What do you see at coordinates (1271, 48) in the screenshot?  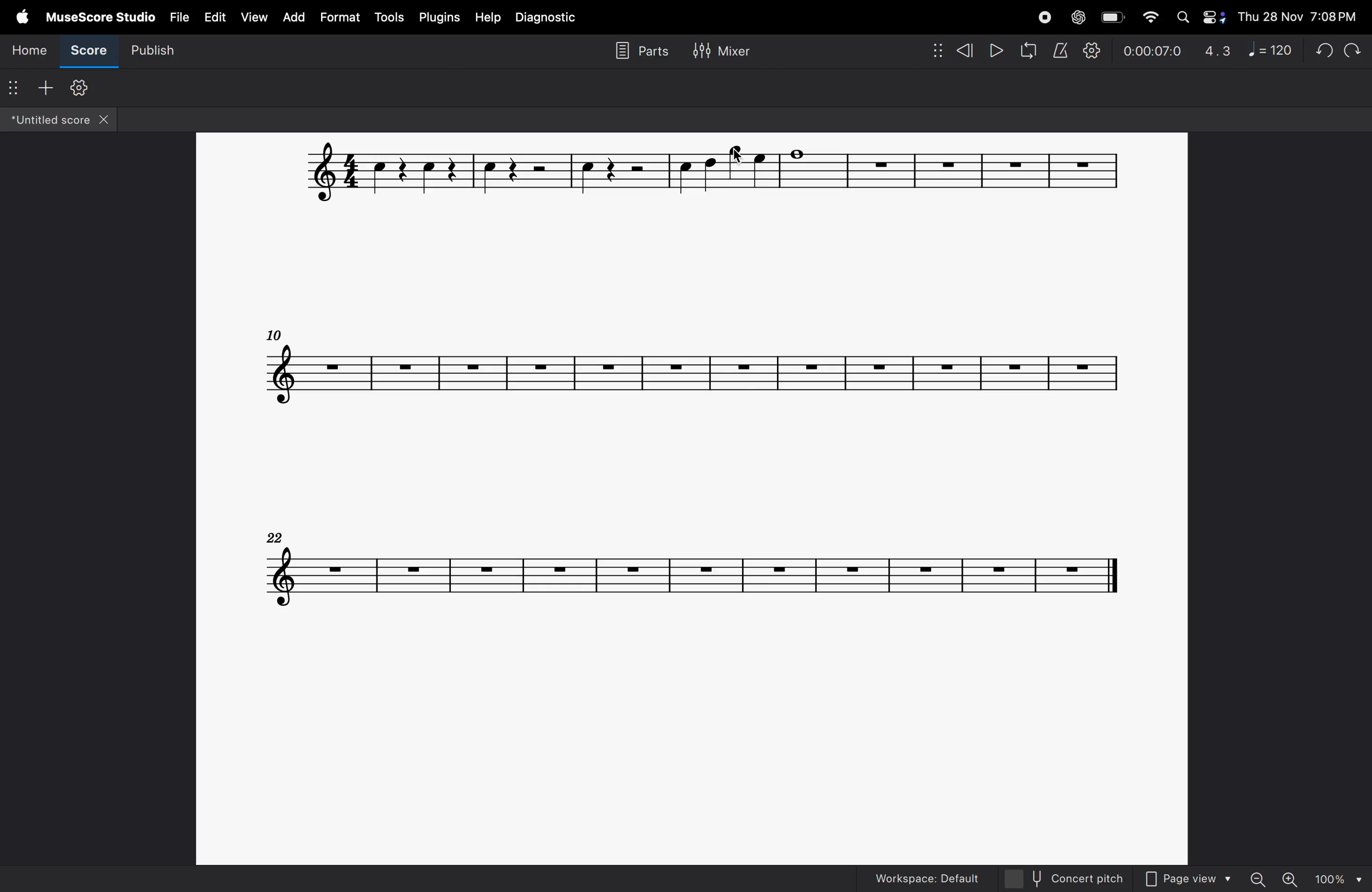 I see `note 120` at bounding box center [1271, 48].